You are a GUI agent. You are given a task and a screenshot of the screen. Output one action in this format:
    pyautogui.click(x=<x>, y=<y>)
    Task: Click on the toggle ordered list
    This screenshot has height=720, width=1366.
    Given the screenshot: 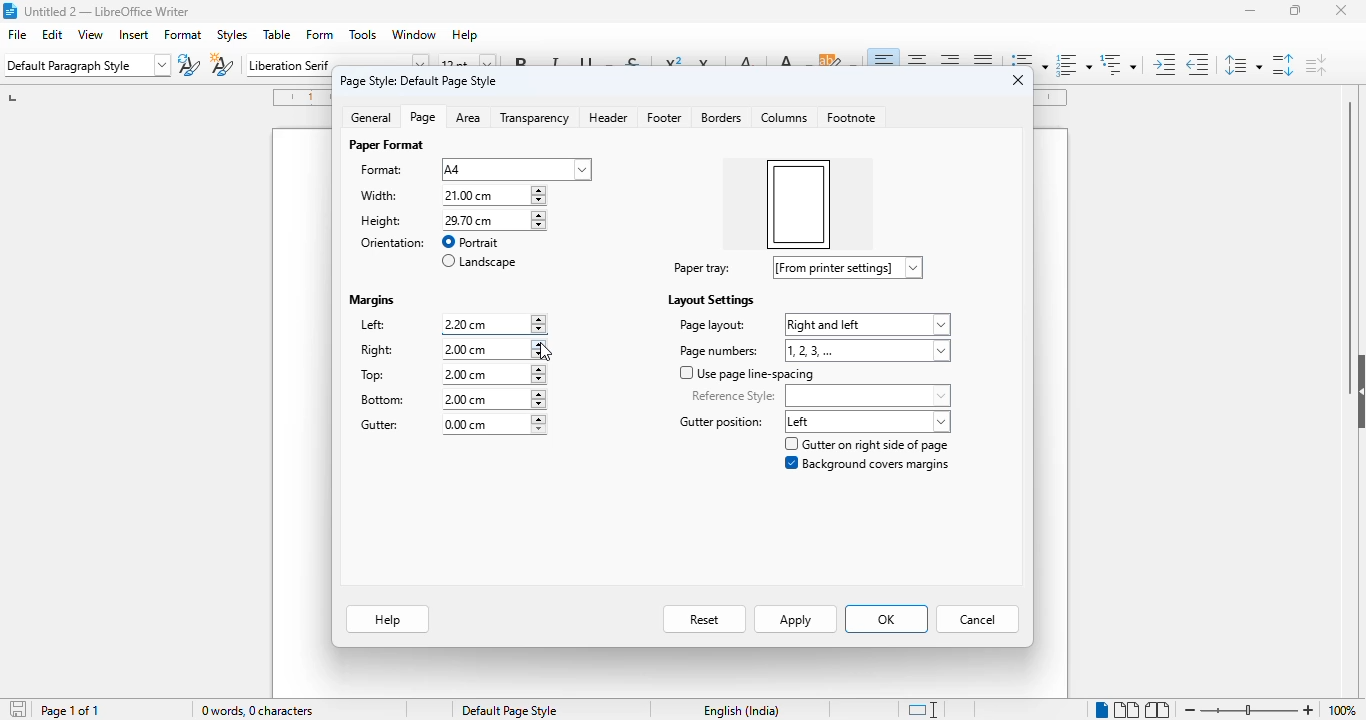 What is the action you would take?
    pyautogui.click(x=1074, y=64)
    